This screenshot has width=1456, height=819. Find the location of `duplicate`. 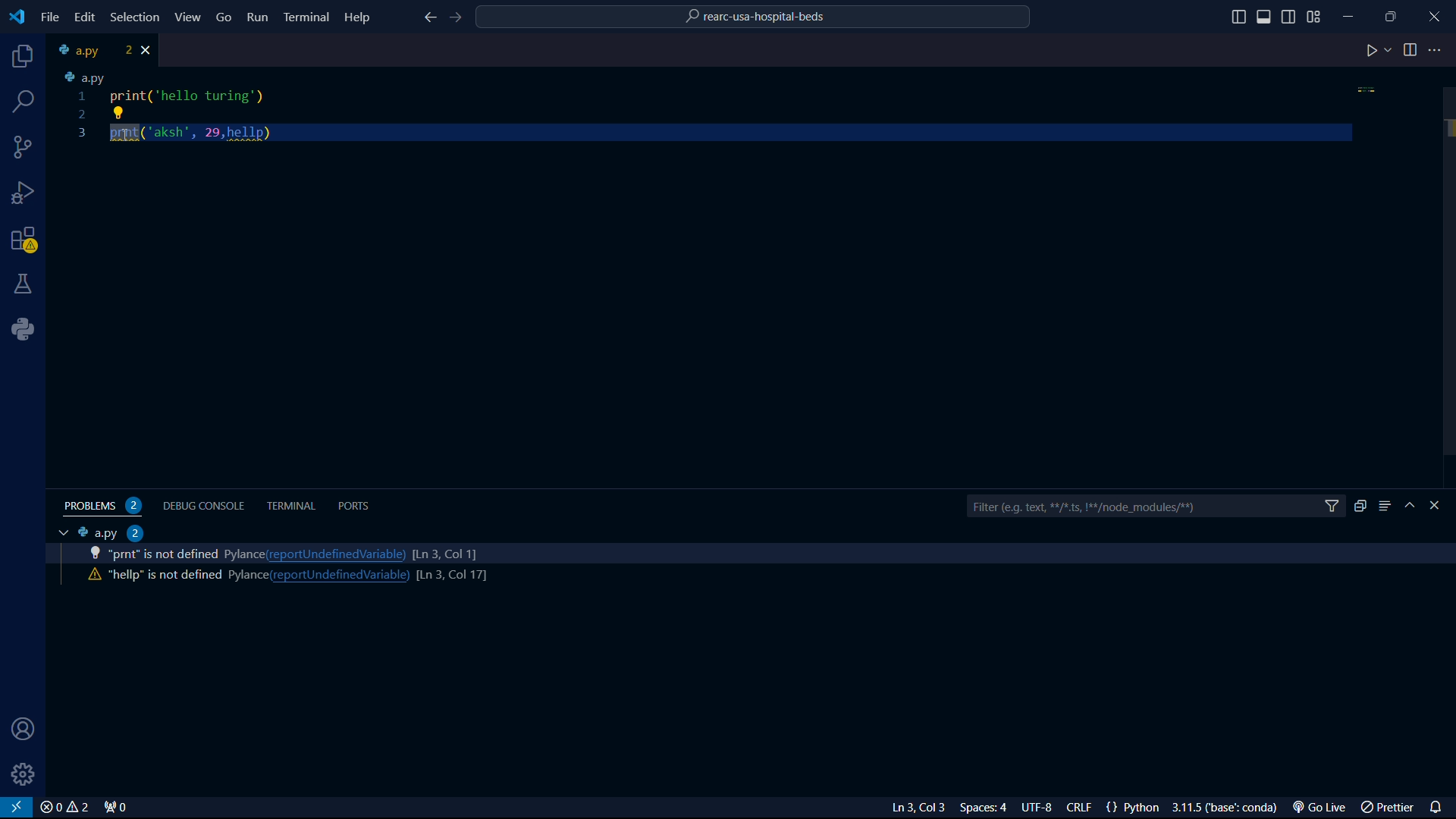

duplicate is located at coordinates (1360, 506).